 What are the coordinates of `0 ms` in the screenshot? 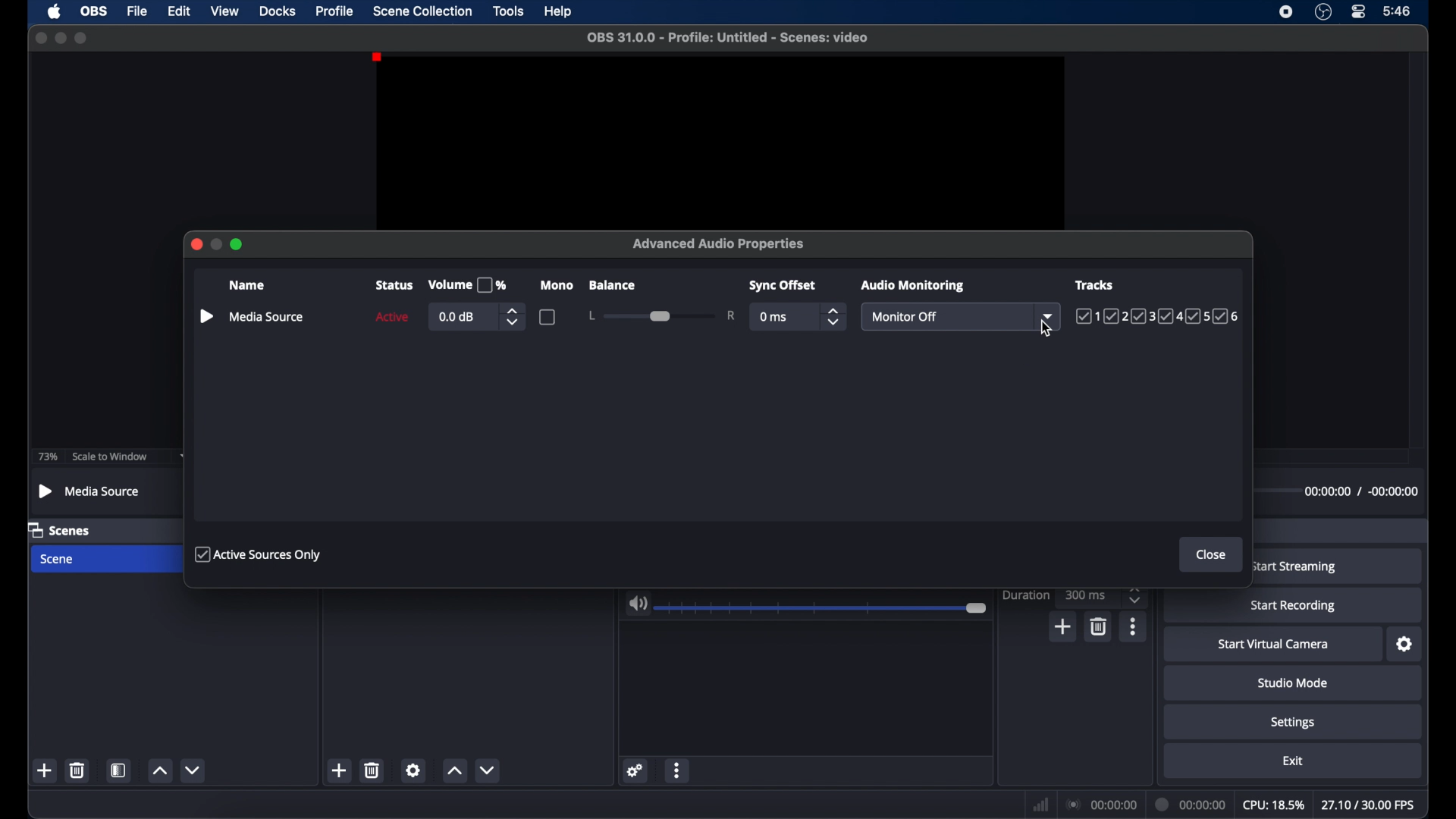 It's located at (774, 318).